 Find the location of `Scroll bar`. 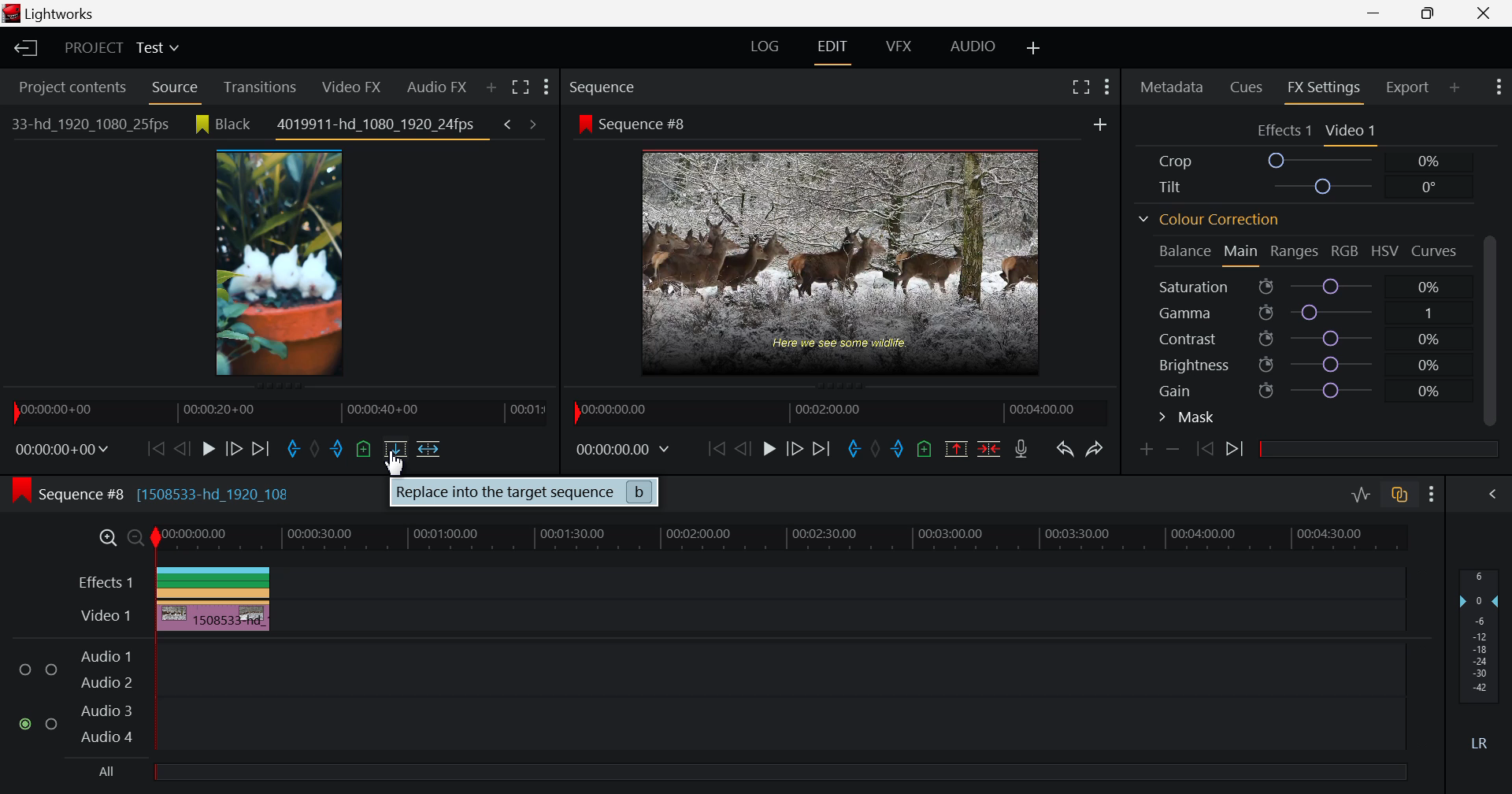

Scroll bar is located at coordinates (1494, 327).